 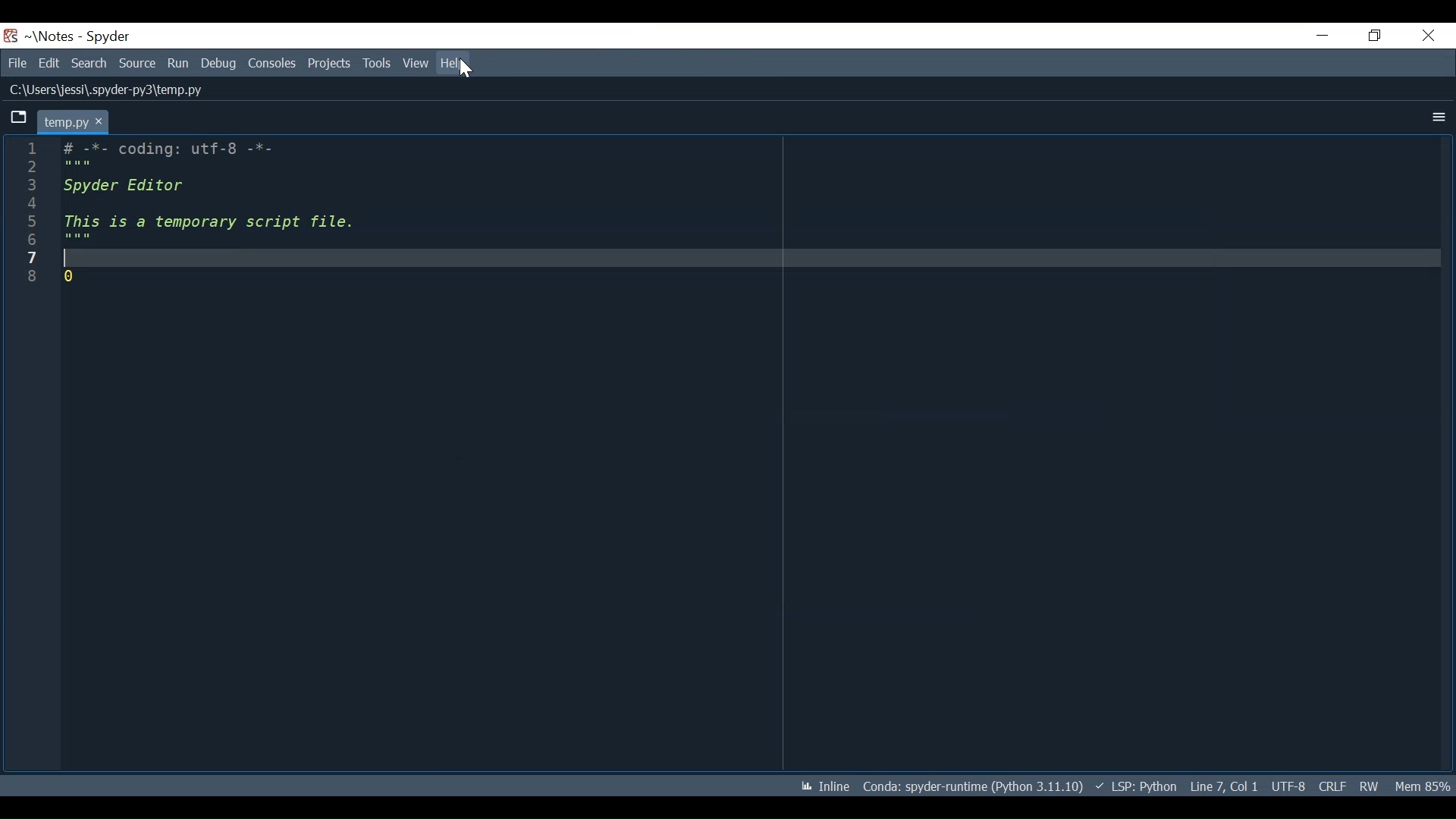 I want to click on Browse Tab, so click(x=19, y=118).